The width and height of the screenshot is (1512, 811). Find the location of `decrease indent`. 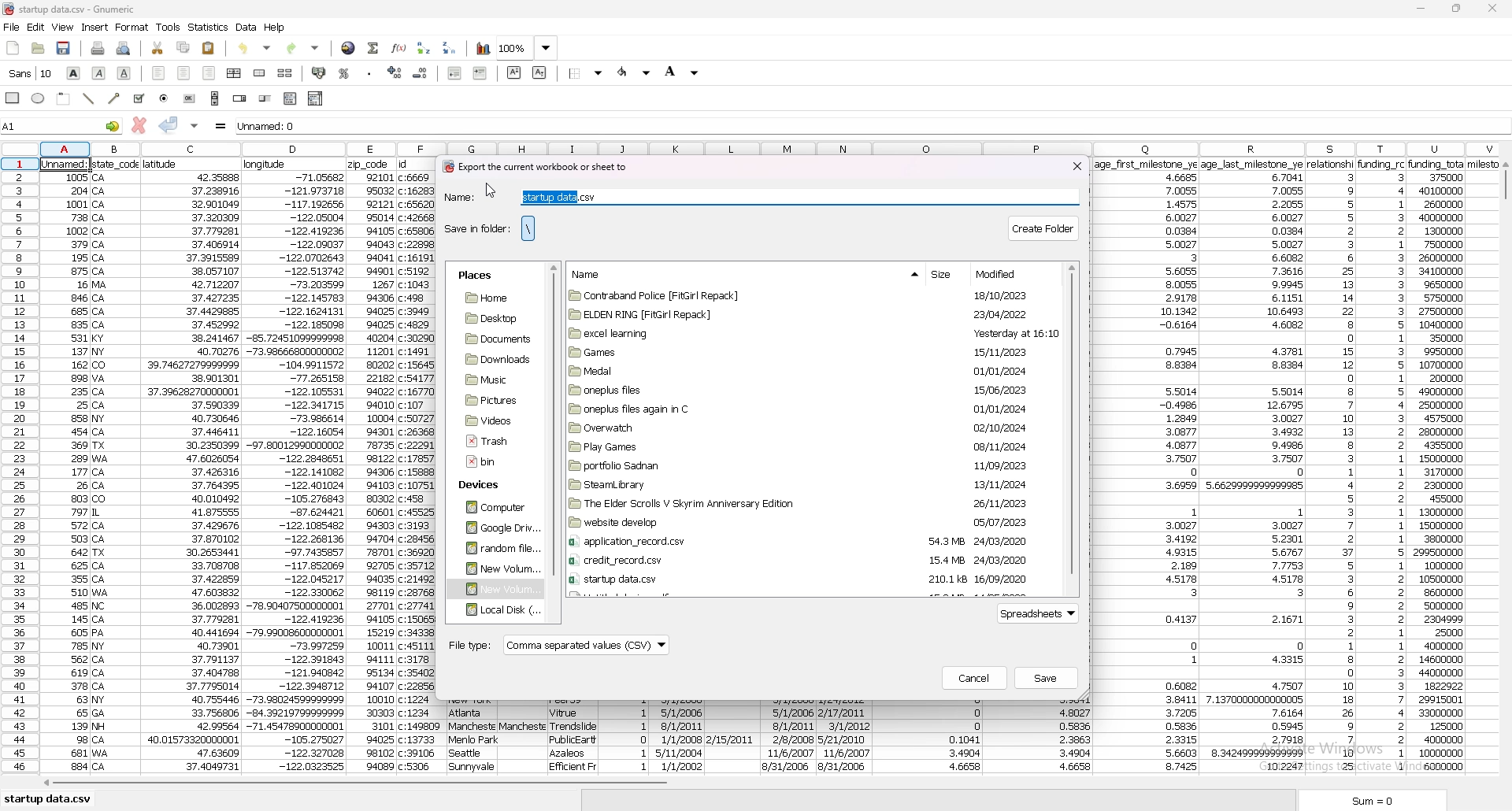

decrease indent is located at coordinates (457, 72).